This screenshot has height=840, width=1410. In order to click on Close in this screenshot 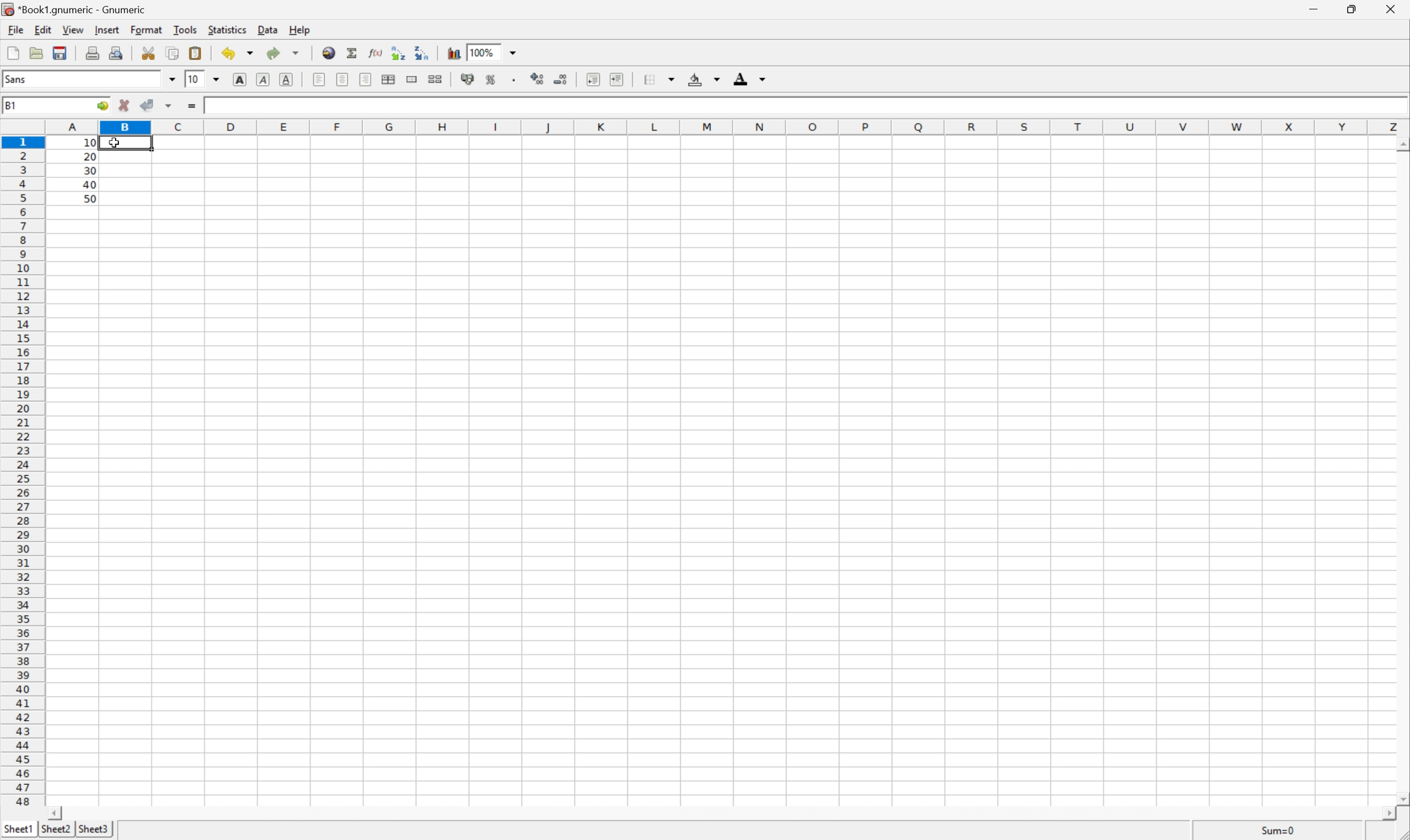, I will do `click(1392, 7)`.